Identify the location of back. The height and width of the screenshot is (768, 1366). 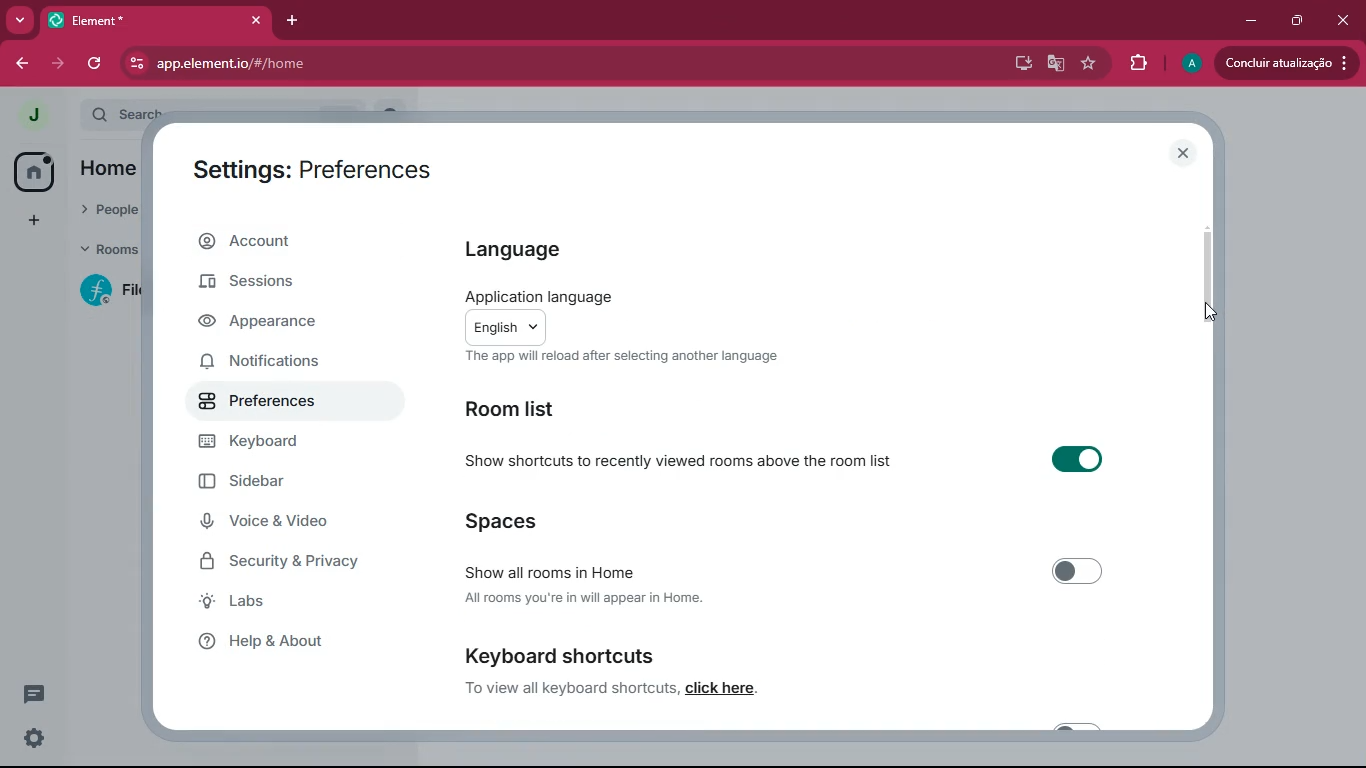
(22, 65).